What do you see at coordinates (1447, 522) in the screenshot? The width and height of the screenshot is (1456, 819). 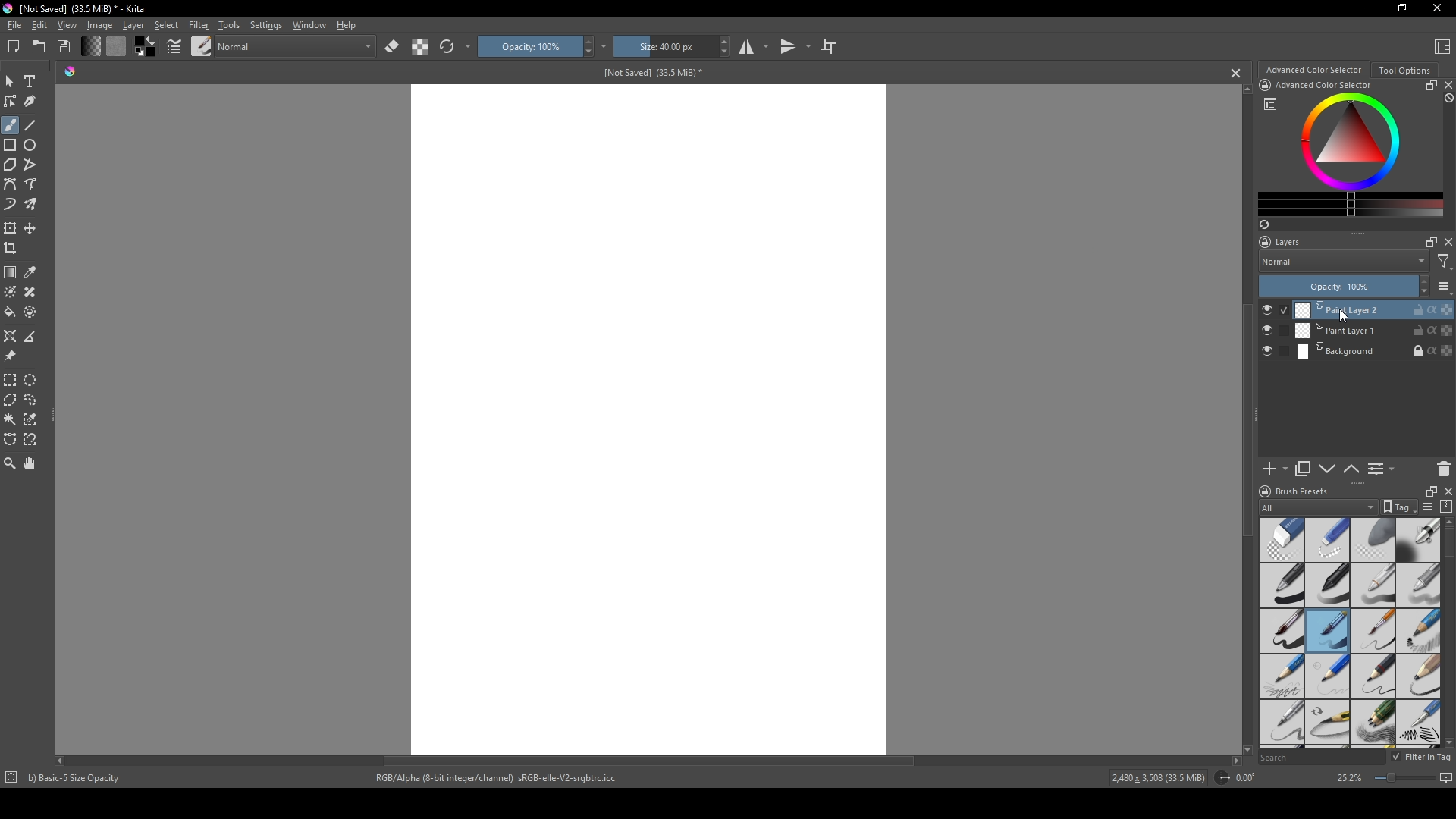 I see `scroll up` at bounding box center [1447, 522].